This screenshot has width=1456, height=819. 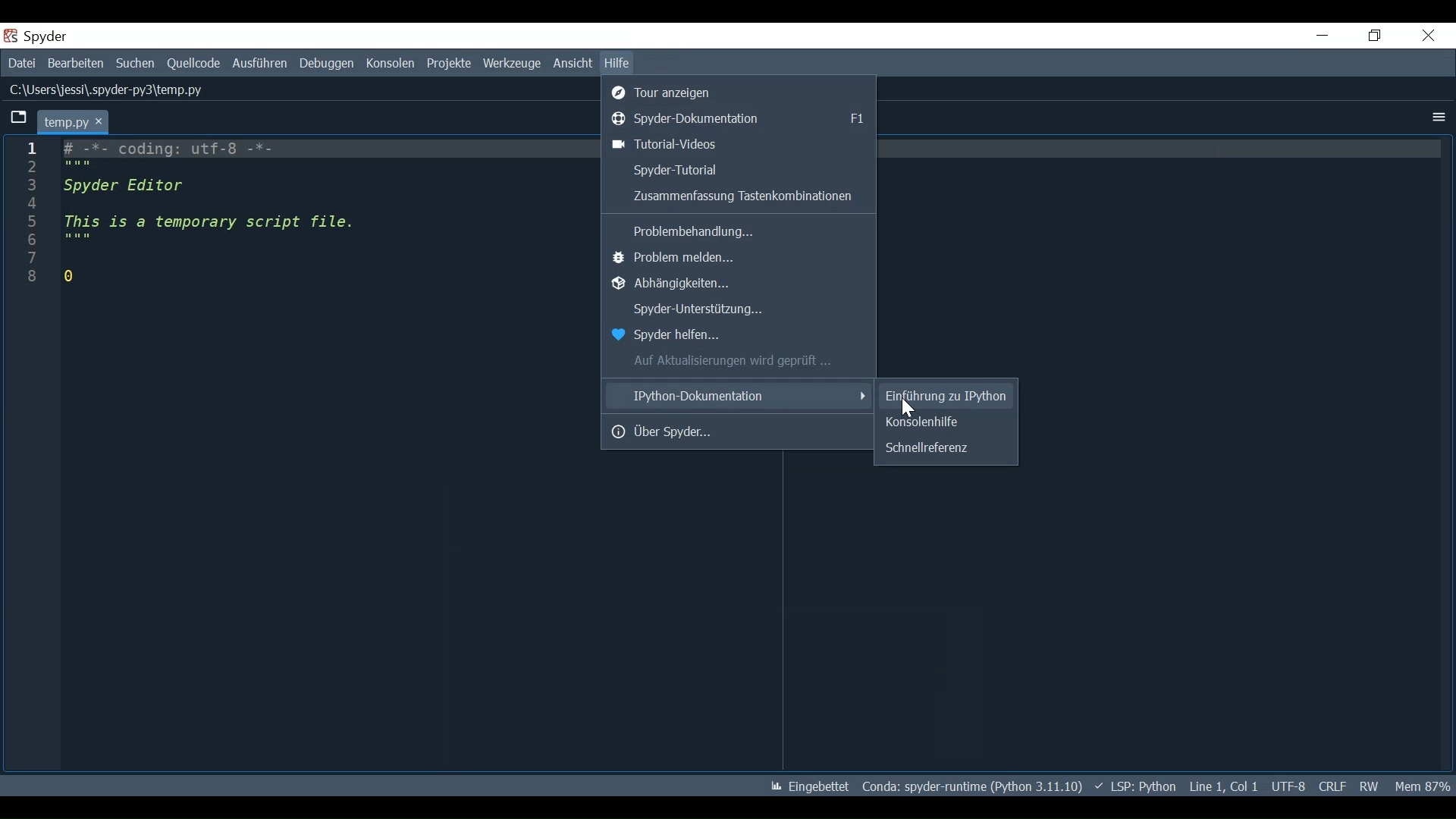 I want to click on Consoles, so click(x=392, y=63).